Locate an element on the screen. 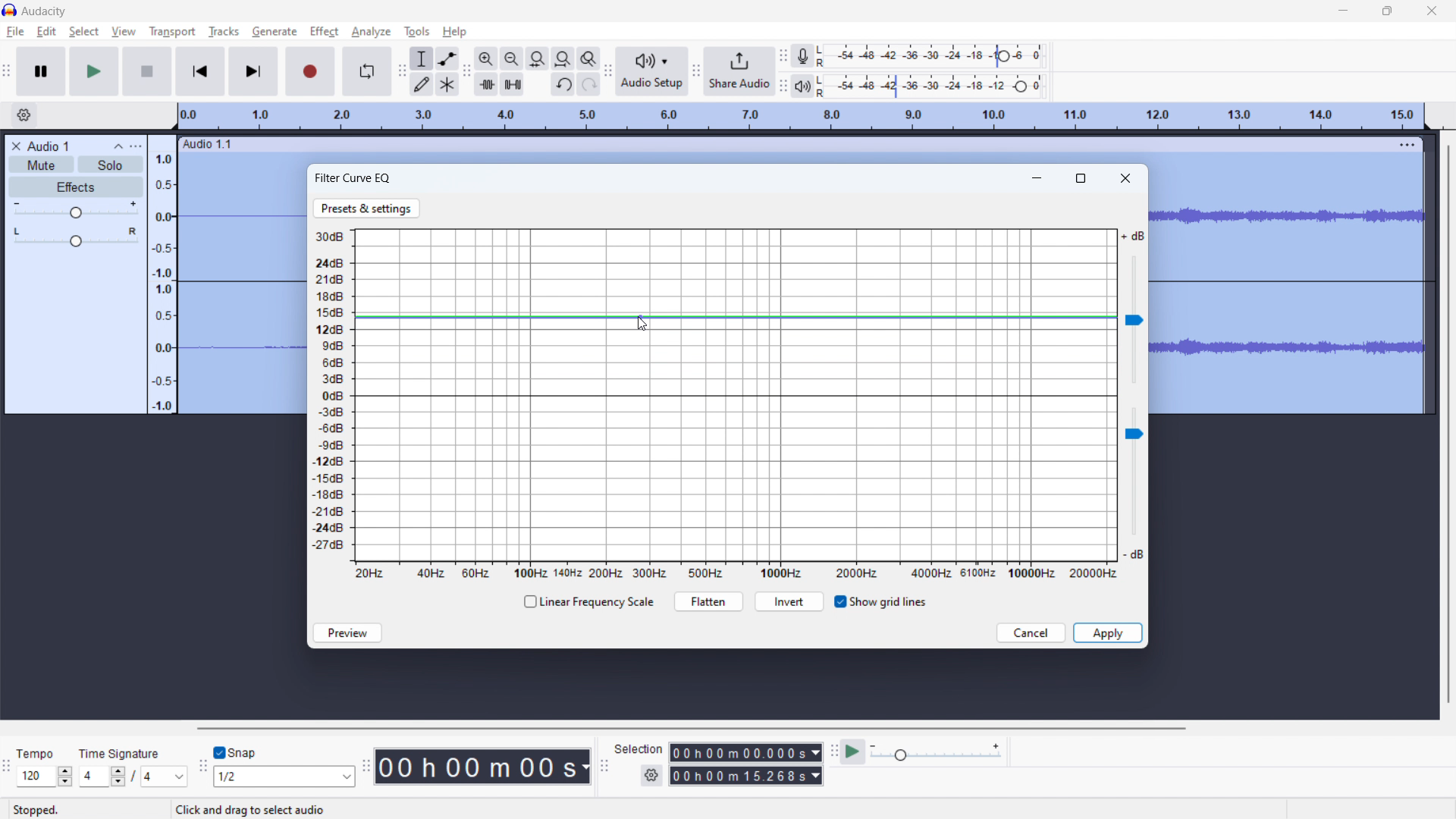  00h00m00.000s (start time) is located at coordinates (745, 751).